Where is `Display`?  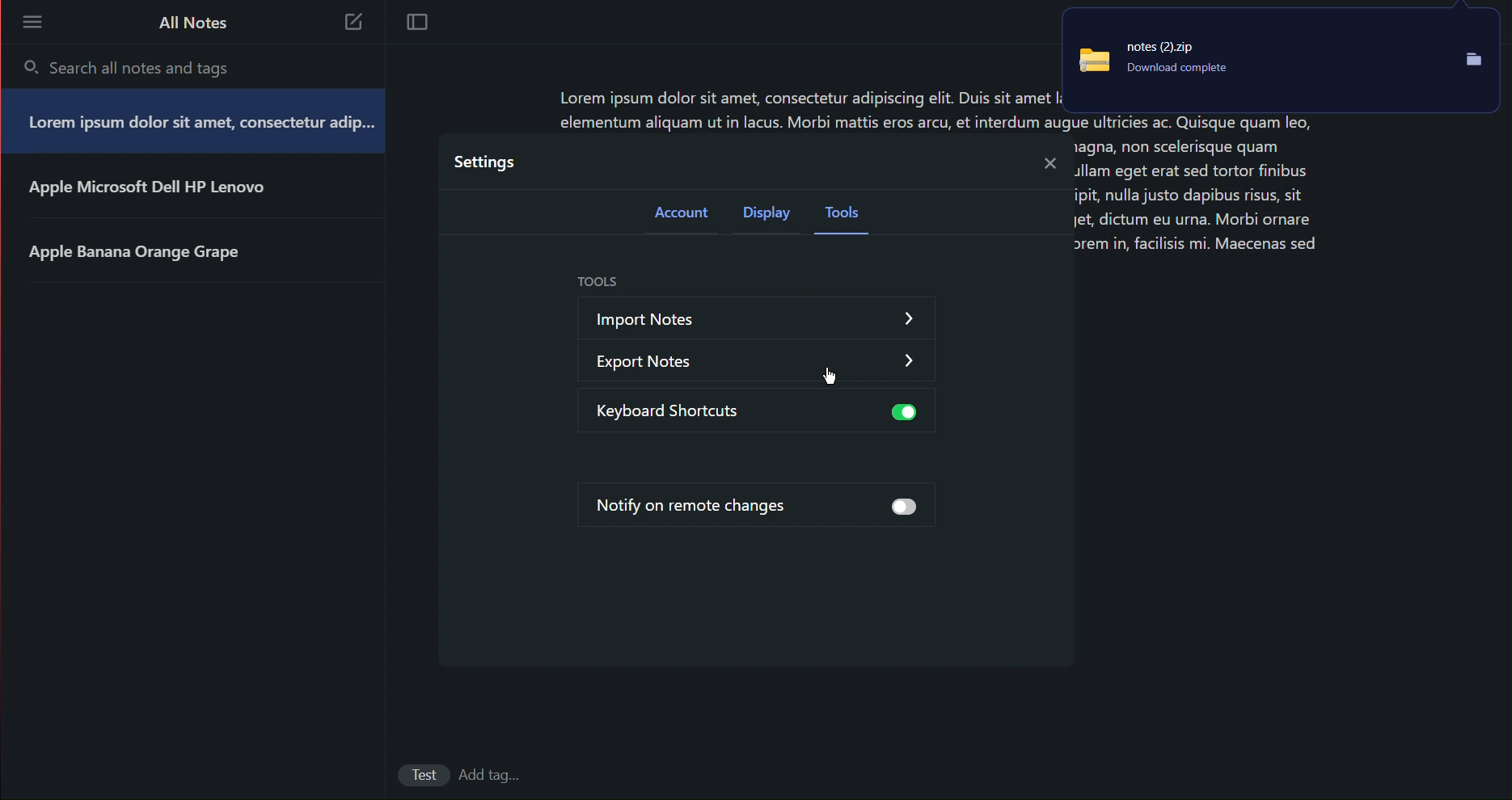
Display is located at coordinates (768, 215).